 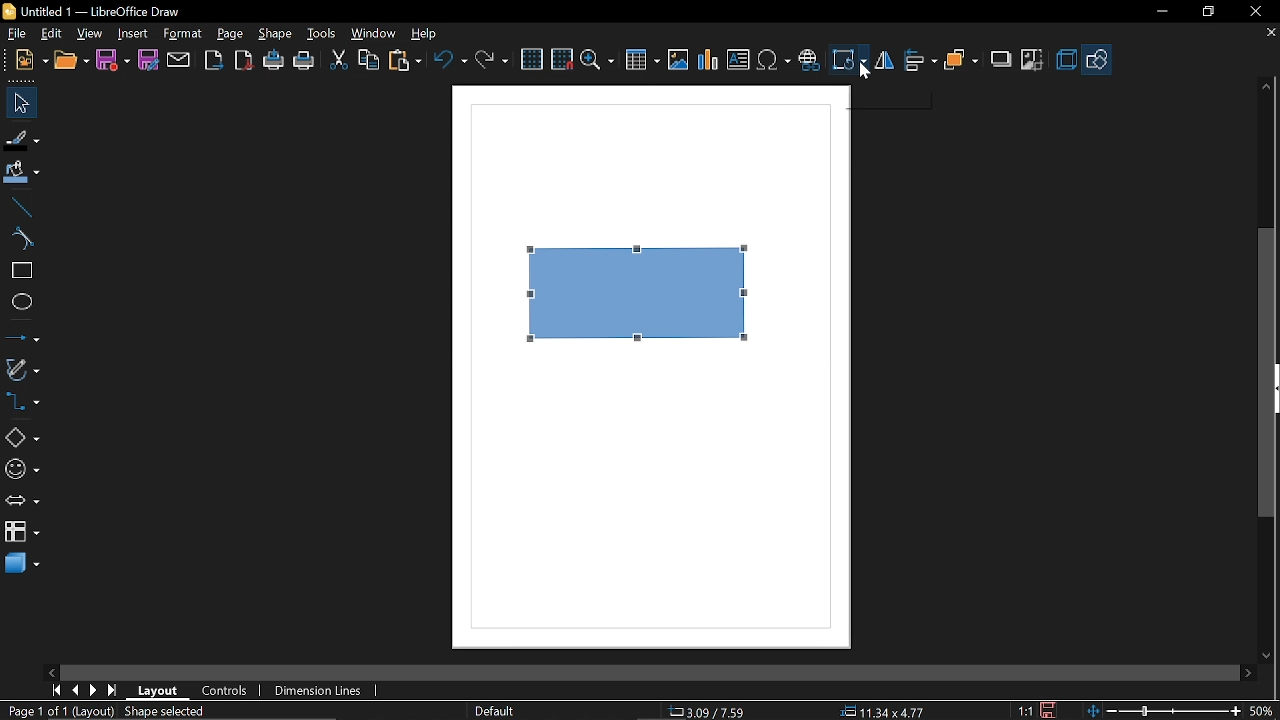 I want to click on vertical scrollbar, so click(x=1267, y=374).